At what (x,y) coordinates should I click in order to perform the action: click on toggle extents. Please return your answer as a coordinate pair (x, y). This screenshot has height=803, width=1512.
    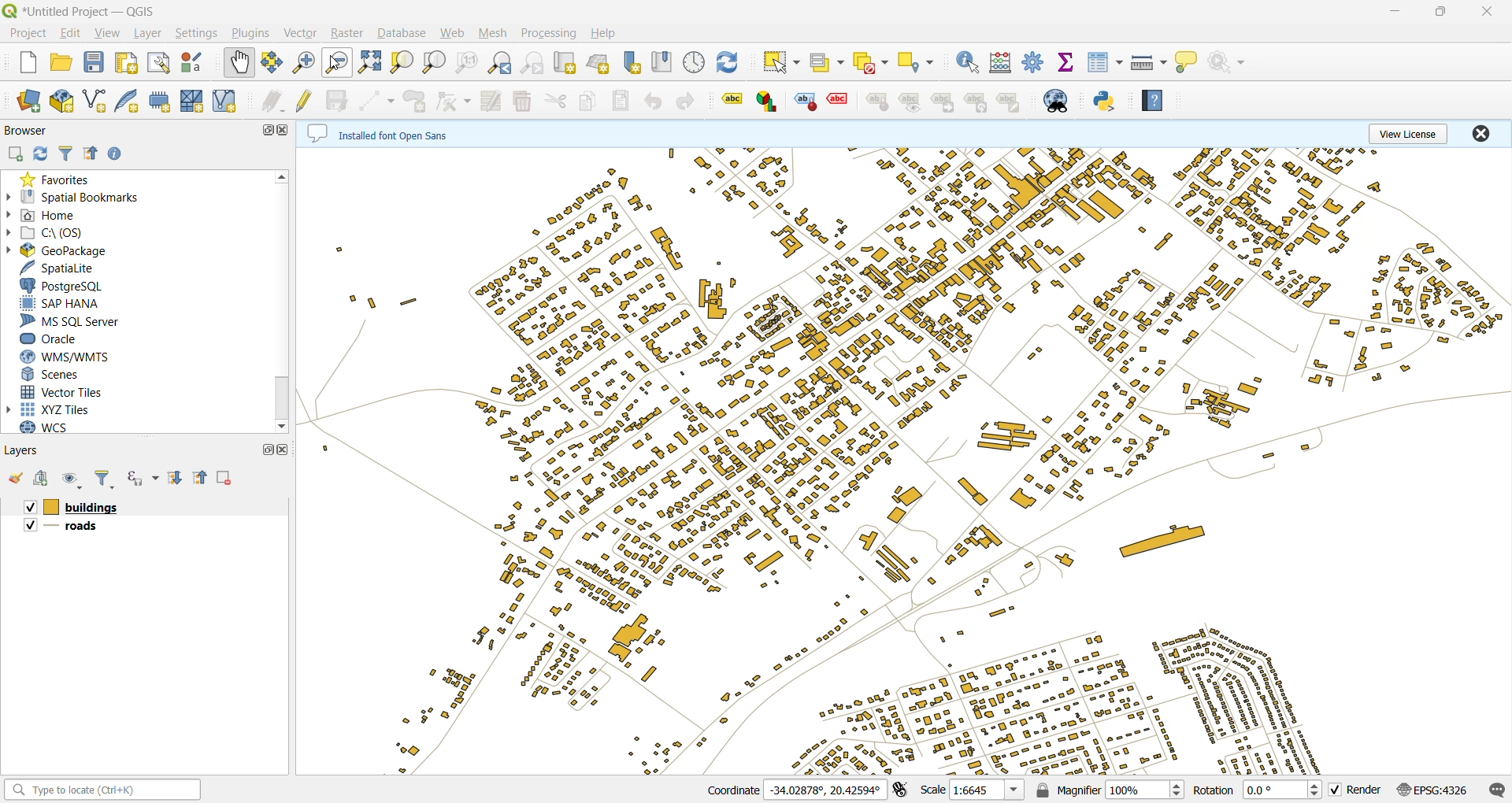
    Looking at the image, I should click on (902, 790).